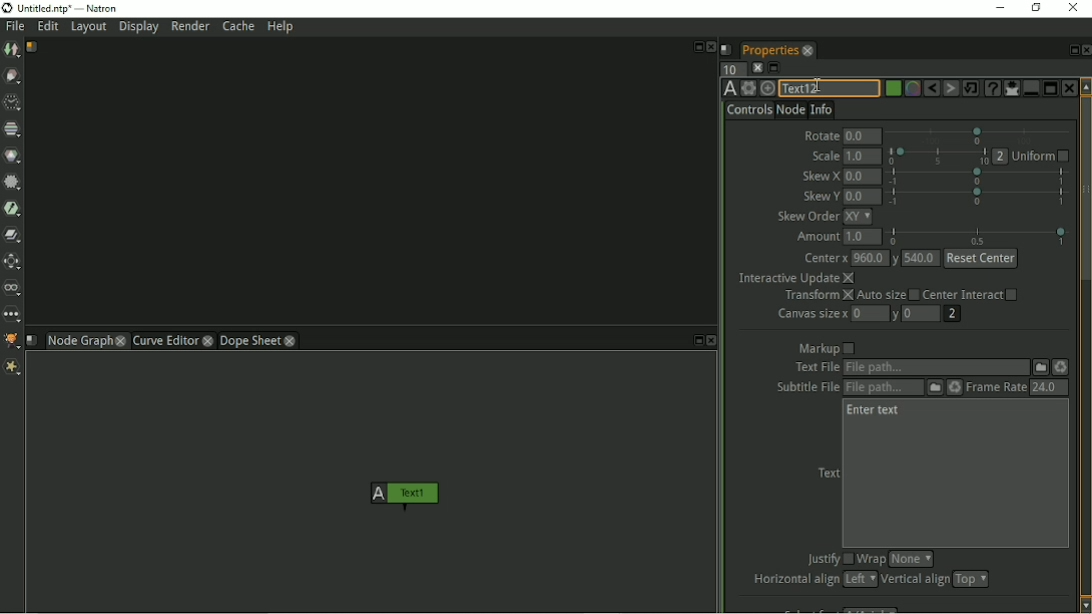 This screenshot has height=614, width=1092. Describe the element at coordinates (209, 340) in the screenshot. I see `close` at that location.